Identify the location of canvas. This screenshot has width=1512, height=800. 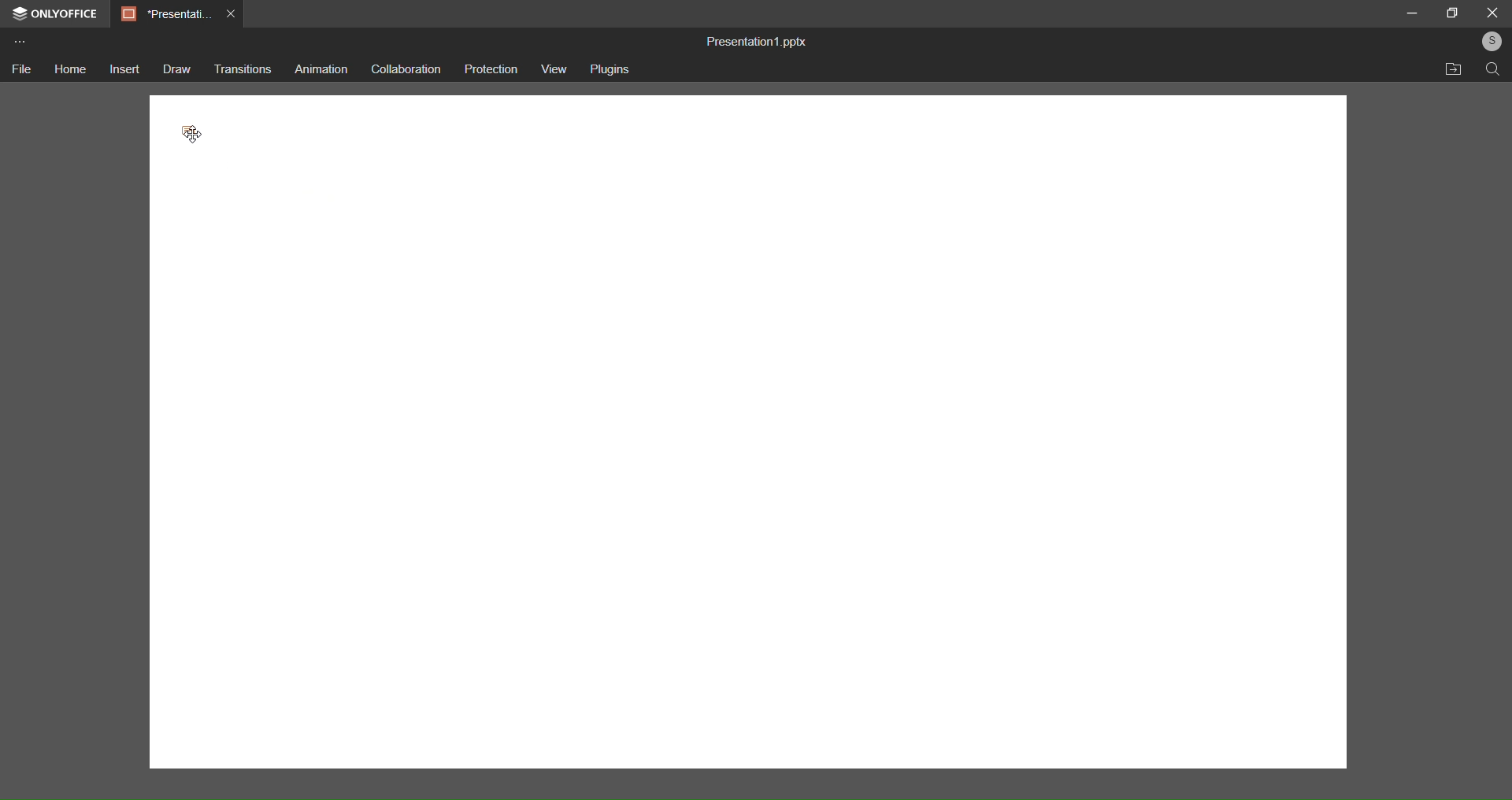
(745, 462).